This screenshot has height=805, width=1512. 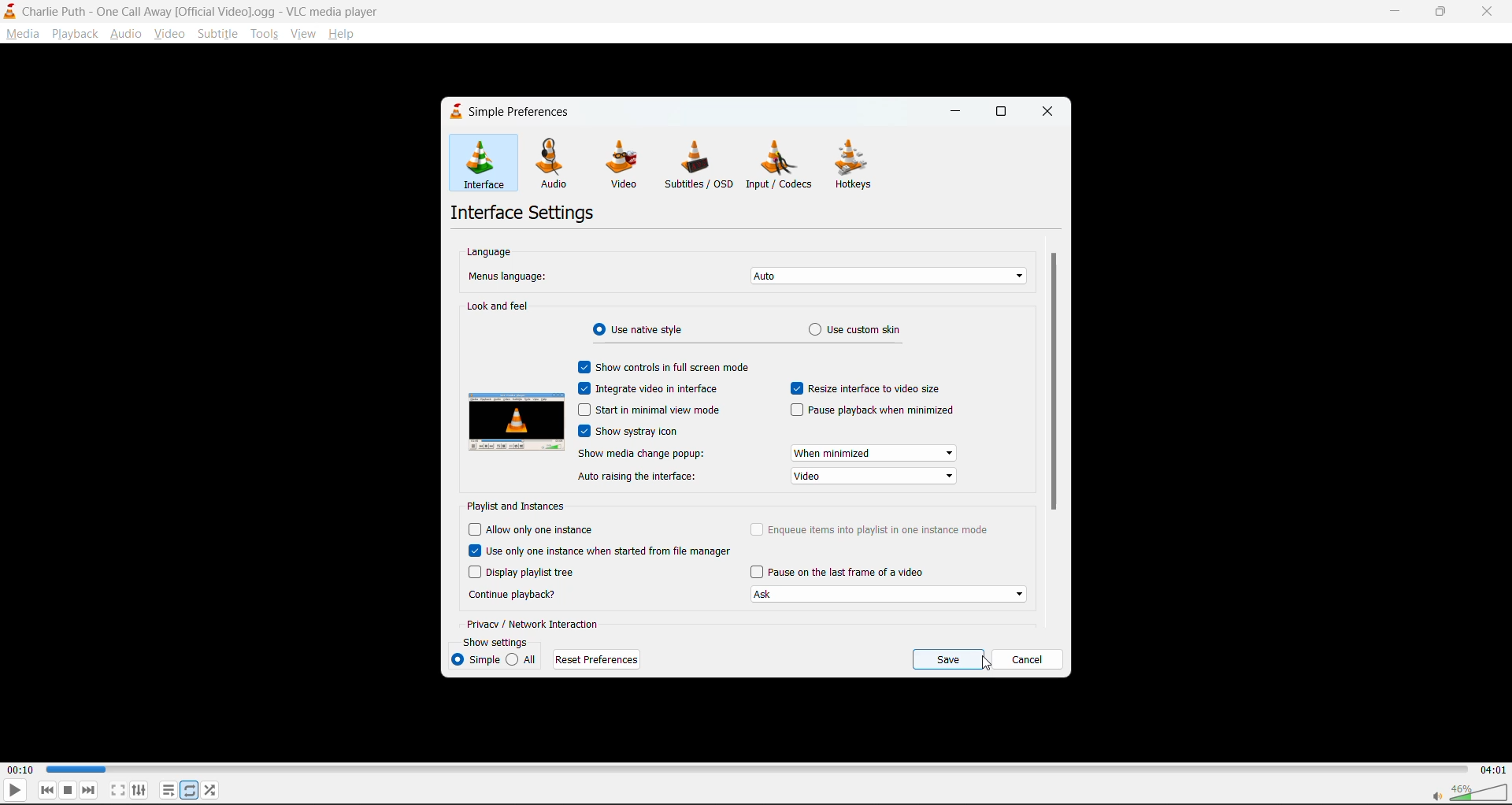 I want to click on cursor, so click(x=988, y=666).